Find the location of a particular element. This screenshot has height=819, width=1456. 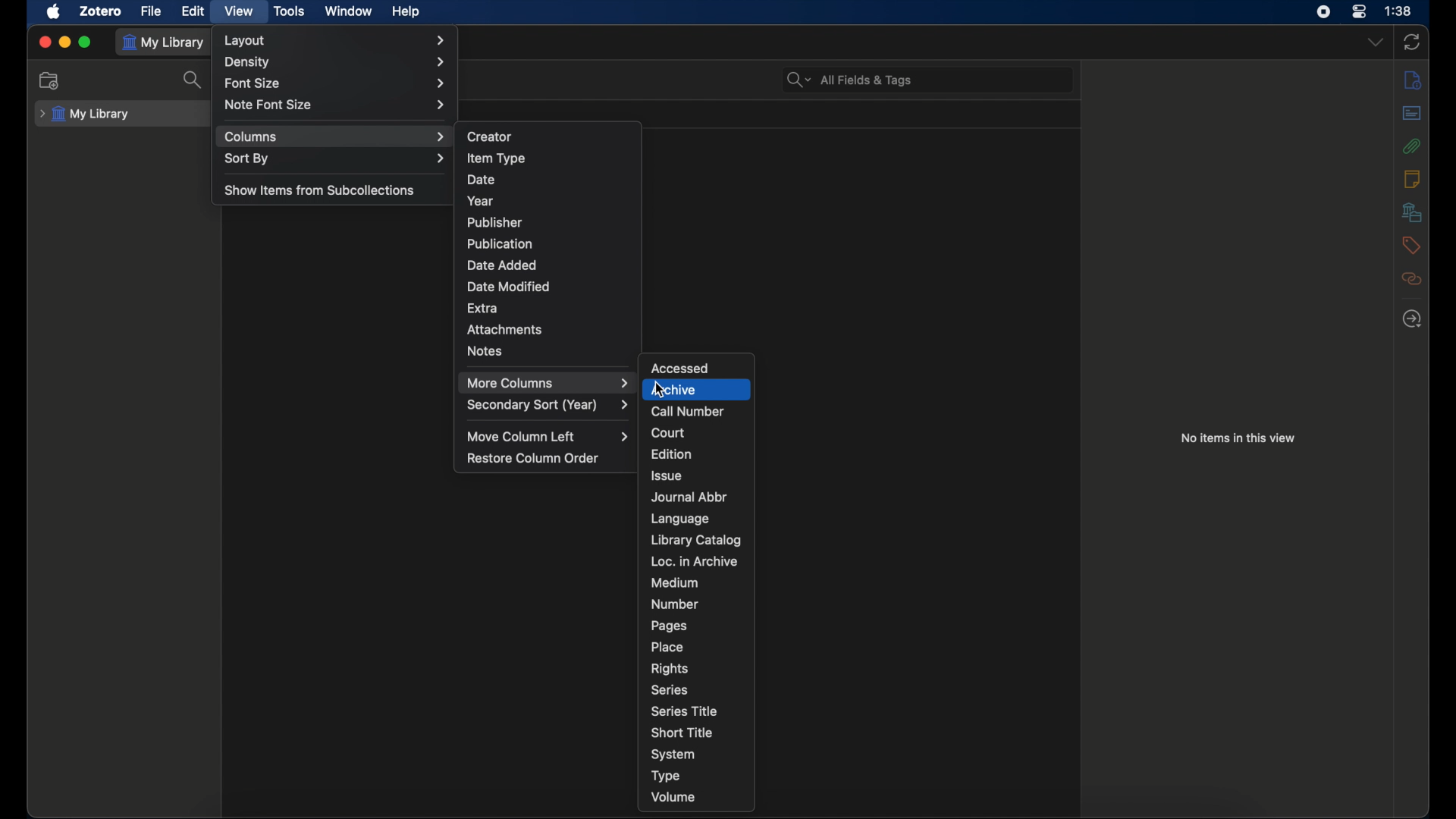

sort by is located at coordinates (335, 159).